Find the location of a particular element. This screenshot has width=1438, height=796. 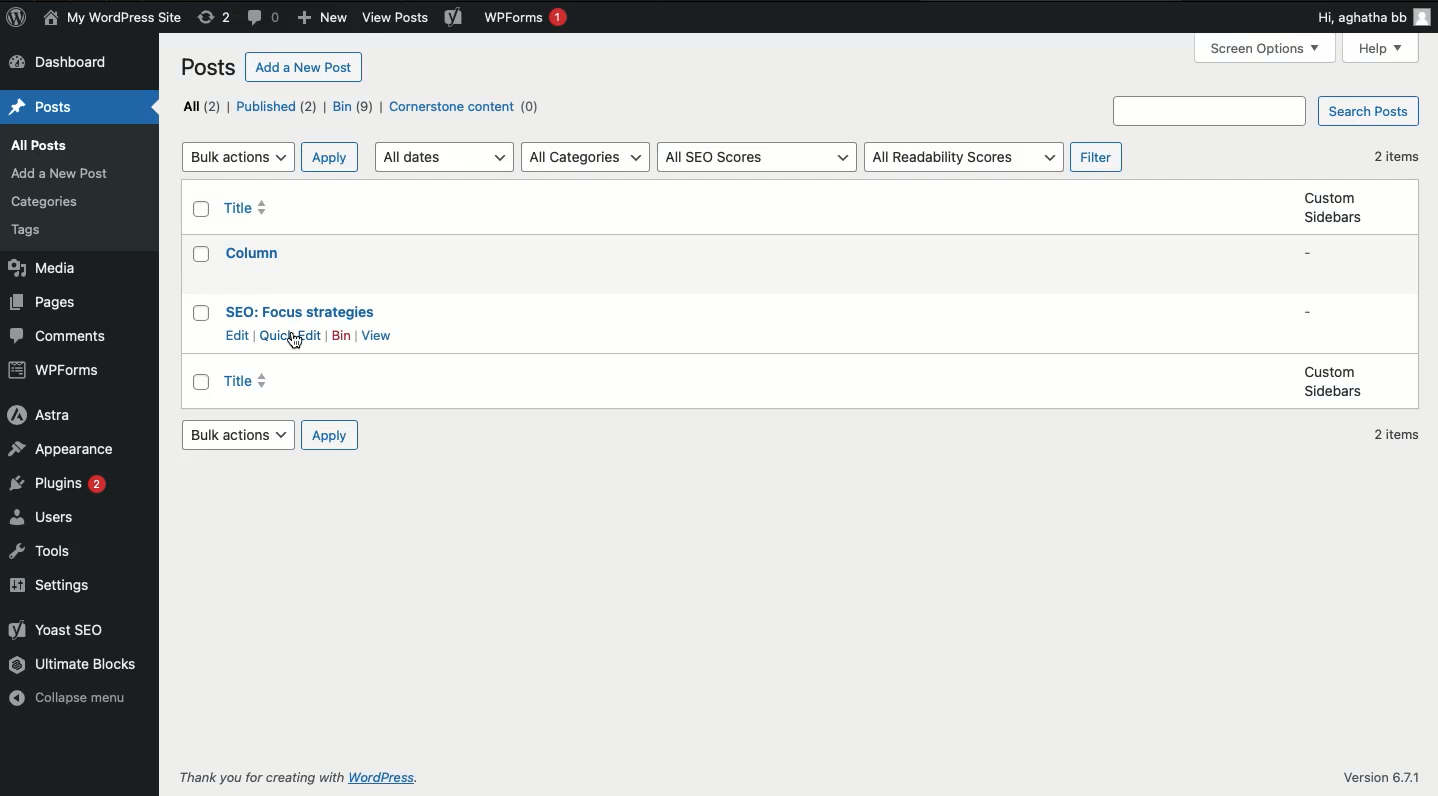

Cornerstone content is located at coordinates (468, 108).